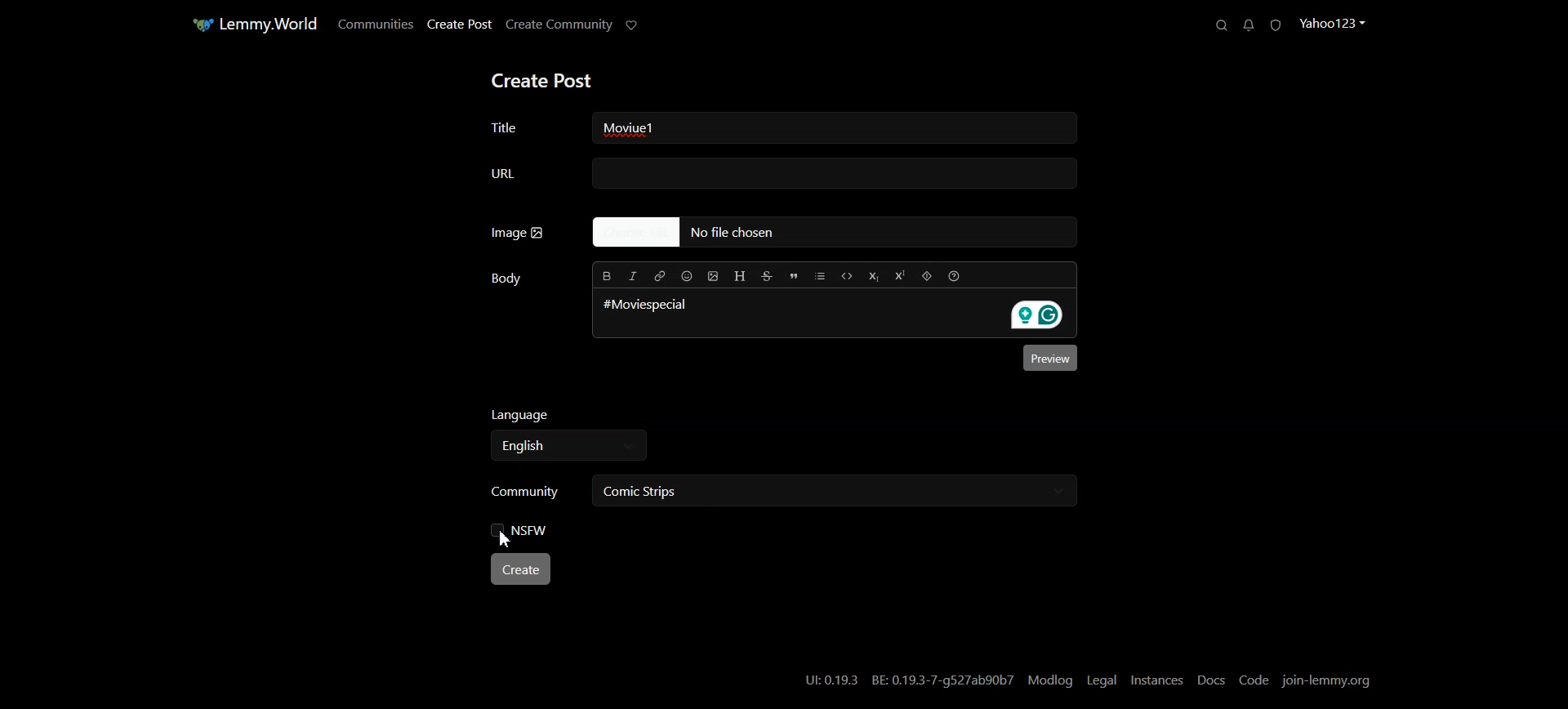  I want to click on Support Limmy, so click(634, 25).